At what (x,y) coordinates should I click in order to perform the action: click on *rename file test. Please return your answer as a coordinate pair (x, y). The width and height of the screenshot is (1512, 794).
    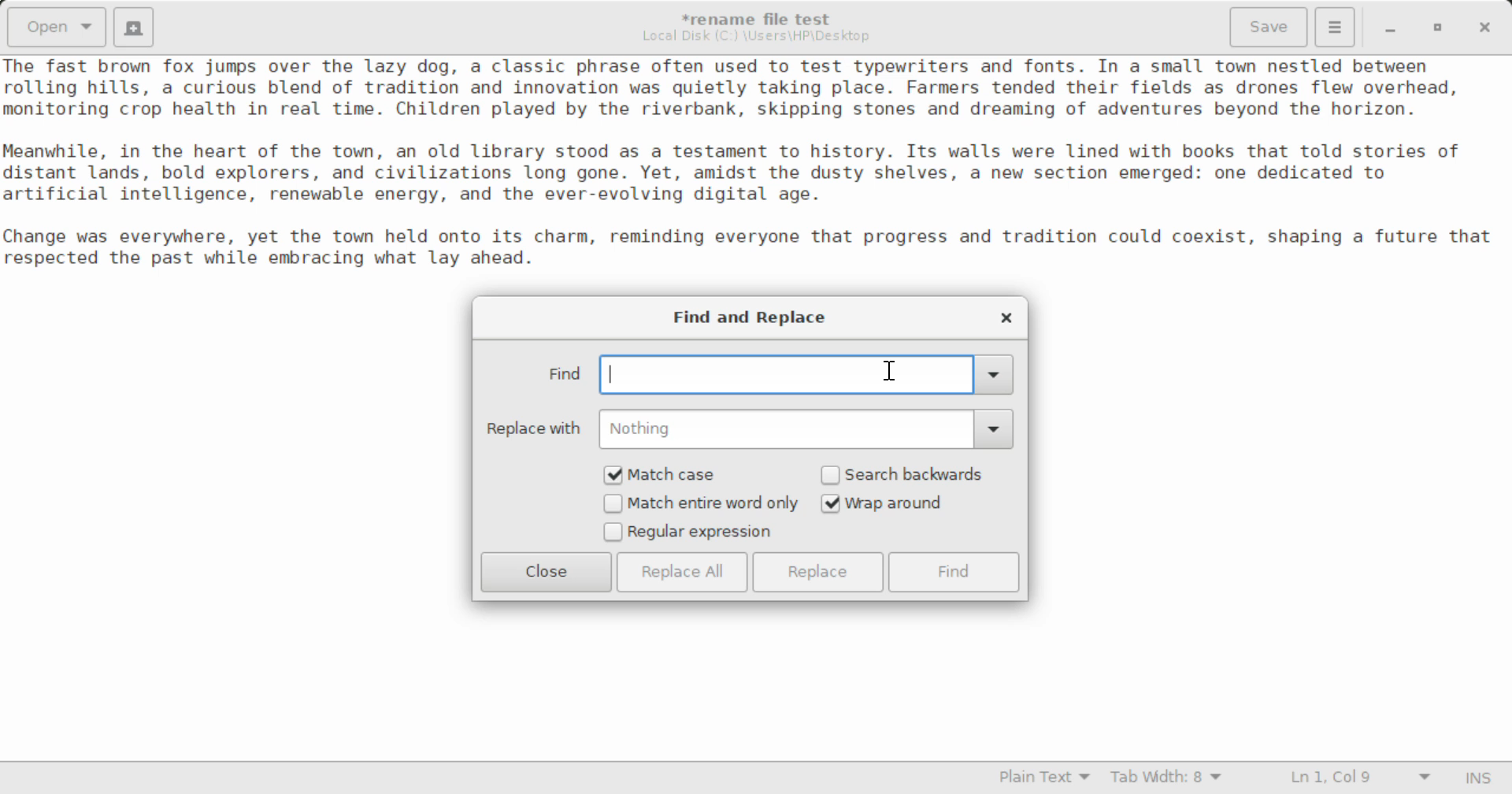
    Looking at the image, I should click on (766, 19).